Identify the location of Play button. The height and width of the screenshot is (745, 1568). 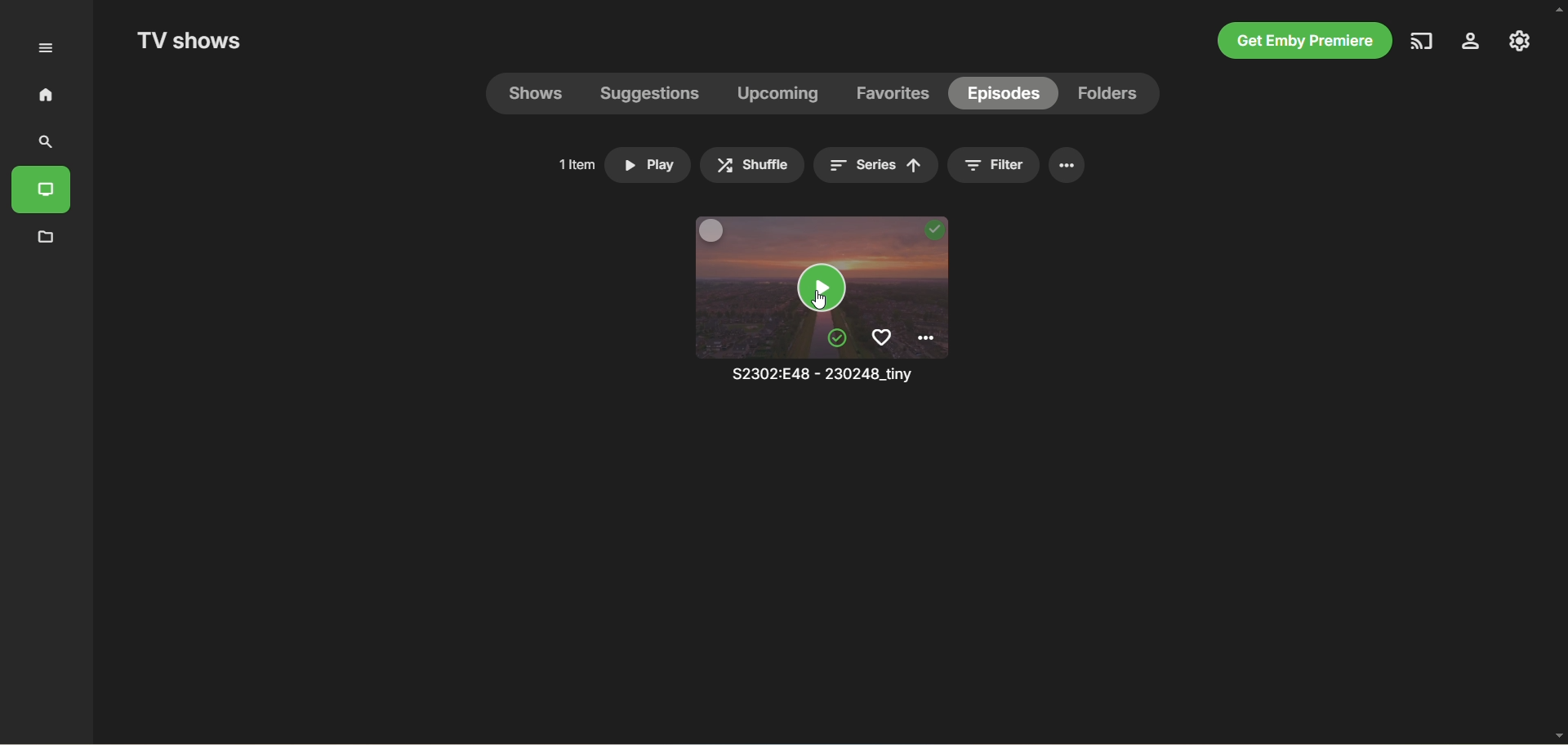
(822, 288).